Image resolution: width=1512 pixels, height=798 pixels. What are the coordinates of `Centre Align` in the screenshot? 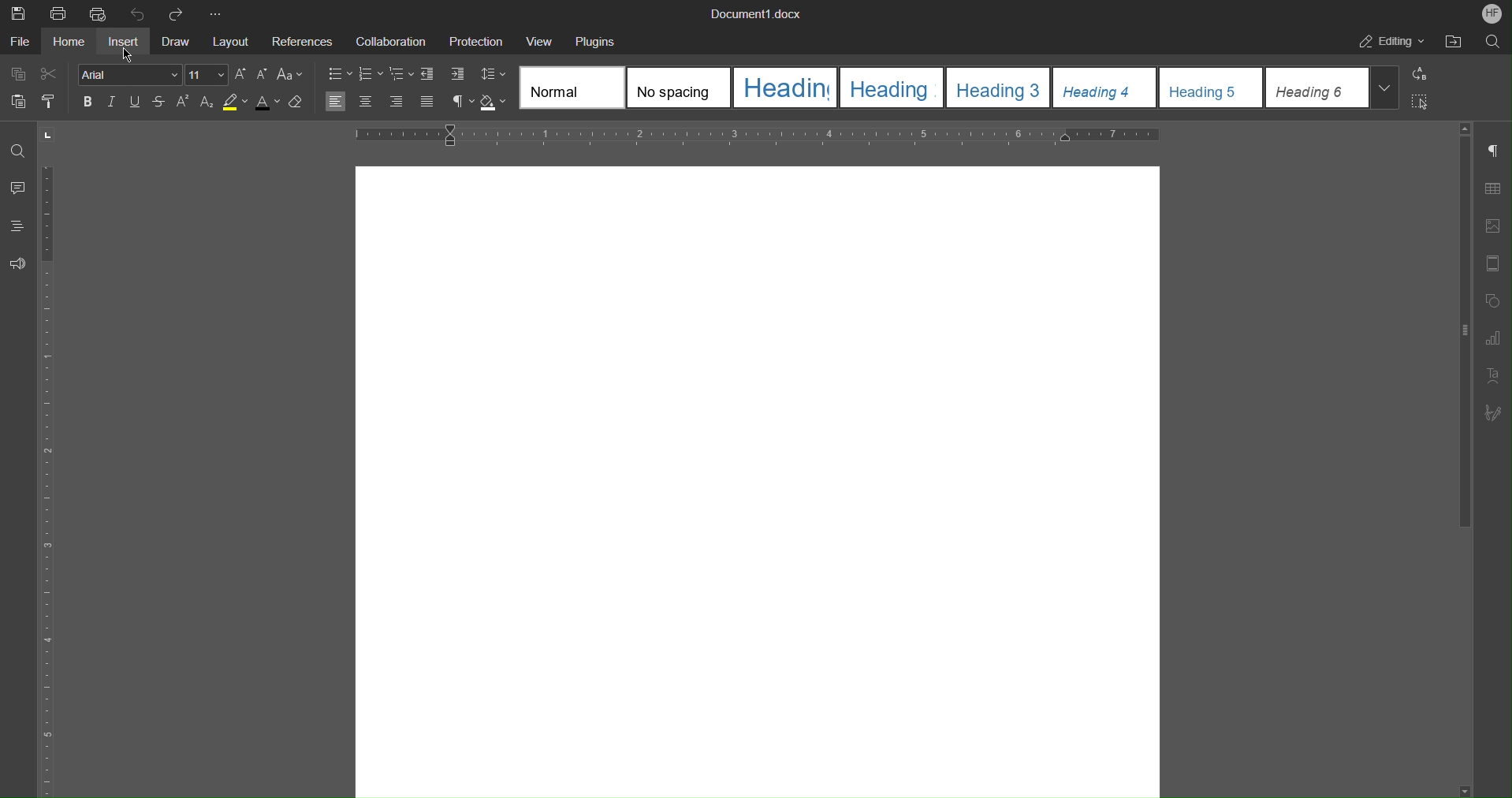 It's located at (365, 101).